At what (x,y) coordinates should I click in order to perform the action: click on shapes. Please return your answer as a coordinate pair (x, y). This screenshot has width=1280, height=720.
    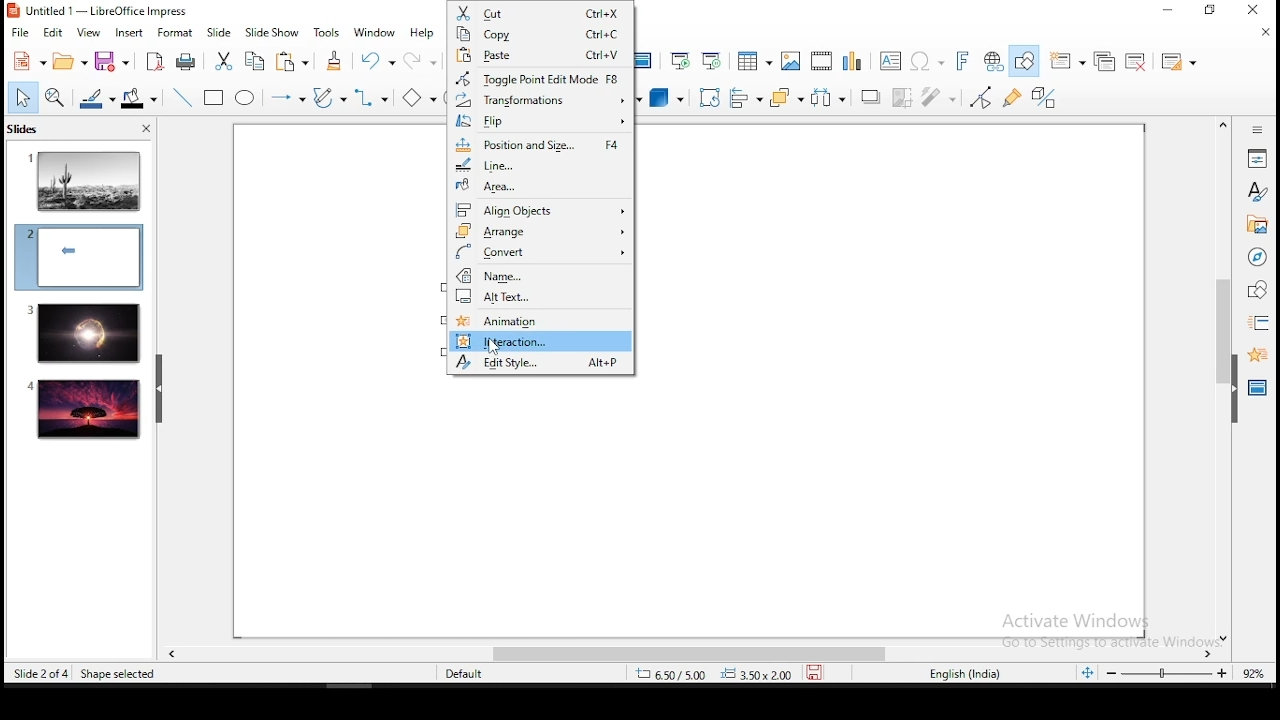
    Looking at the image, I should click on (1255, 290).